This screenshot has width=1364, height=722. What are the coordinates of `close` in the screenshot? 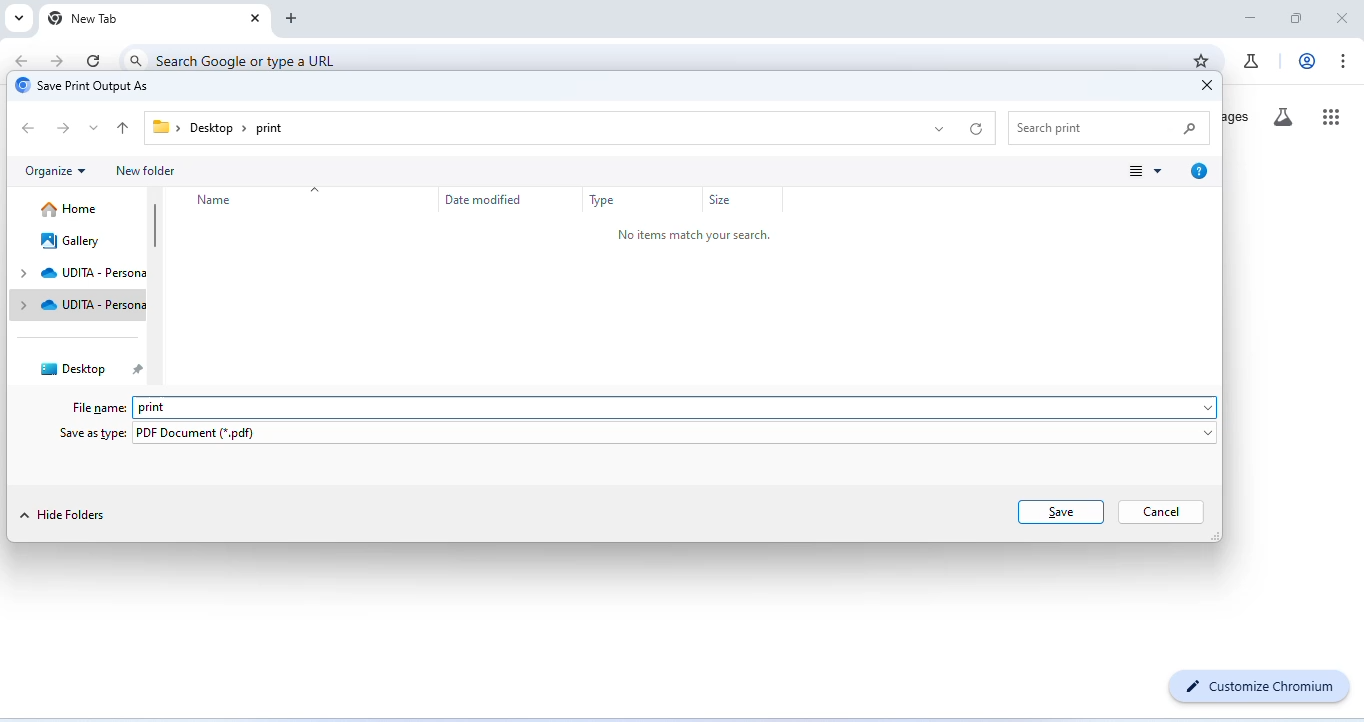 It's located at (252, 18).